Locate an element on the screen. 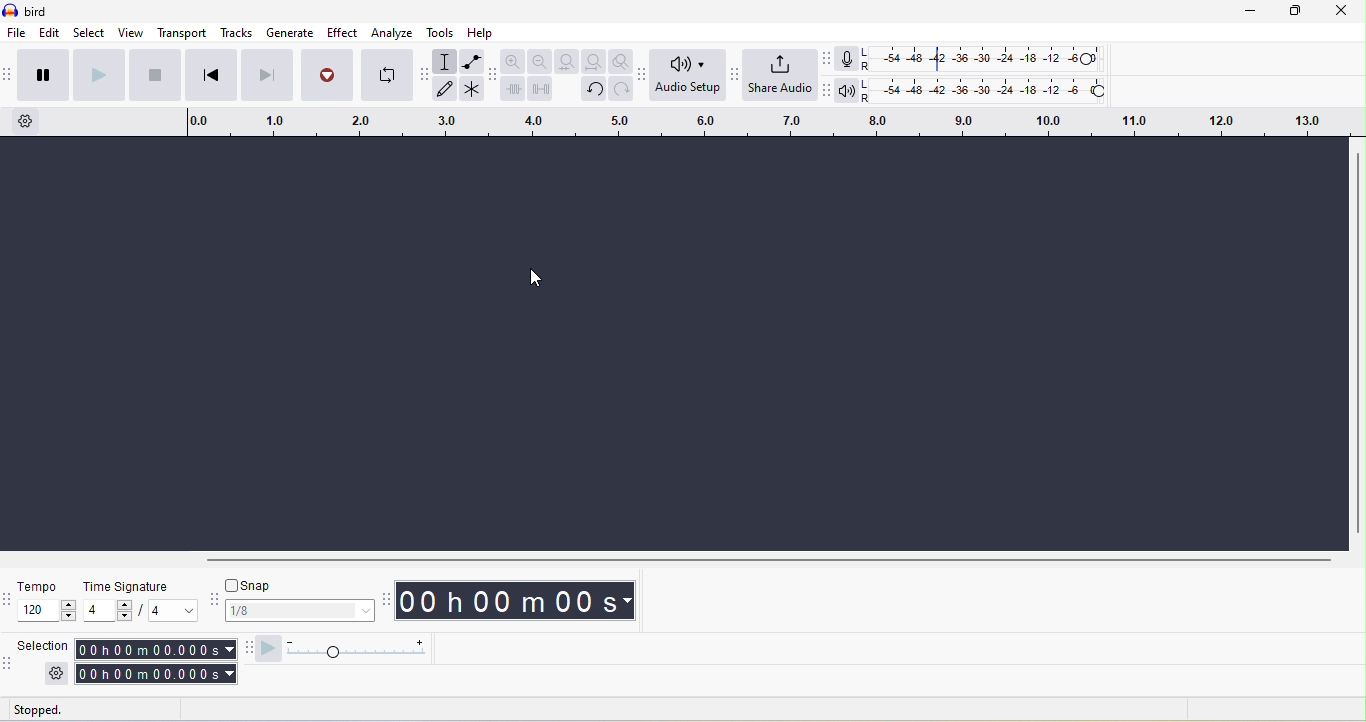 The height and width of the screenshot is (722, 1366). audacity audio setup toolbar is located at coordinates (644, 75).